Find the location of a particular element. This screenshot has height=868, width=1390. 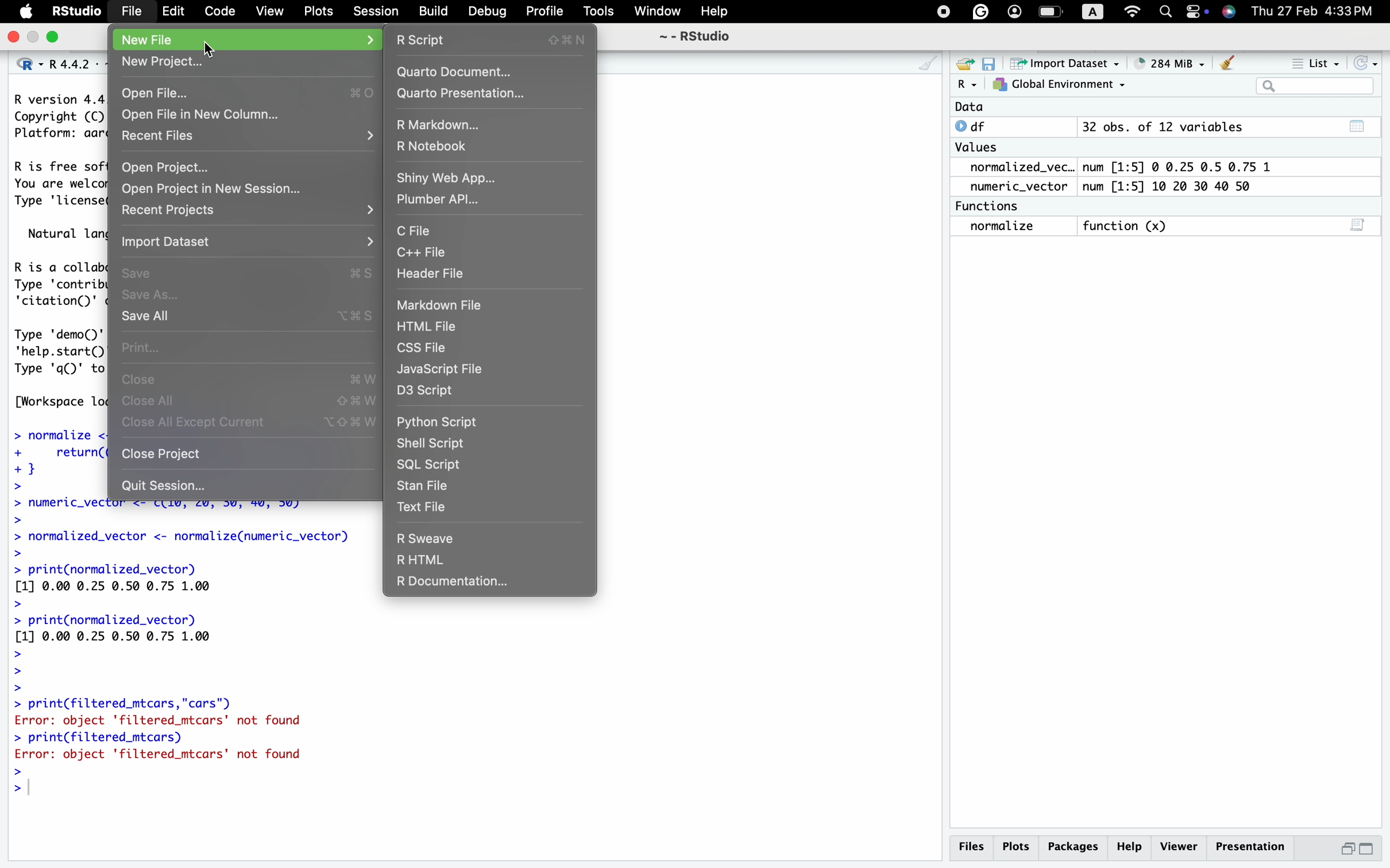

Recent Files is located at coordinates (155, 135).